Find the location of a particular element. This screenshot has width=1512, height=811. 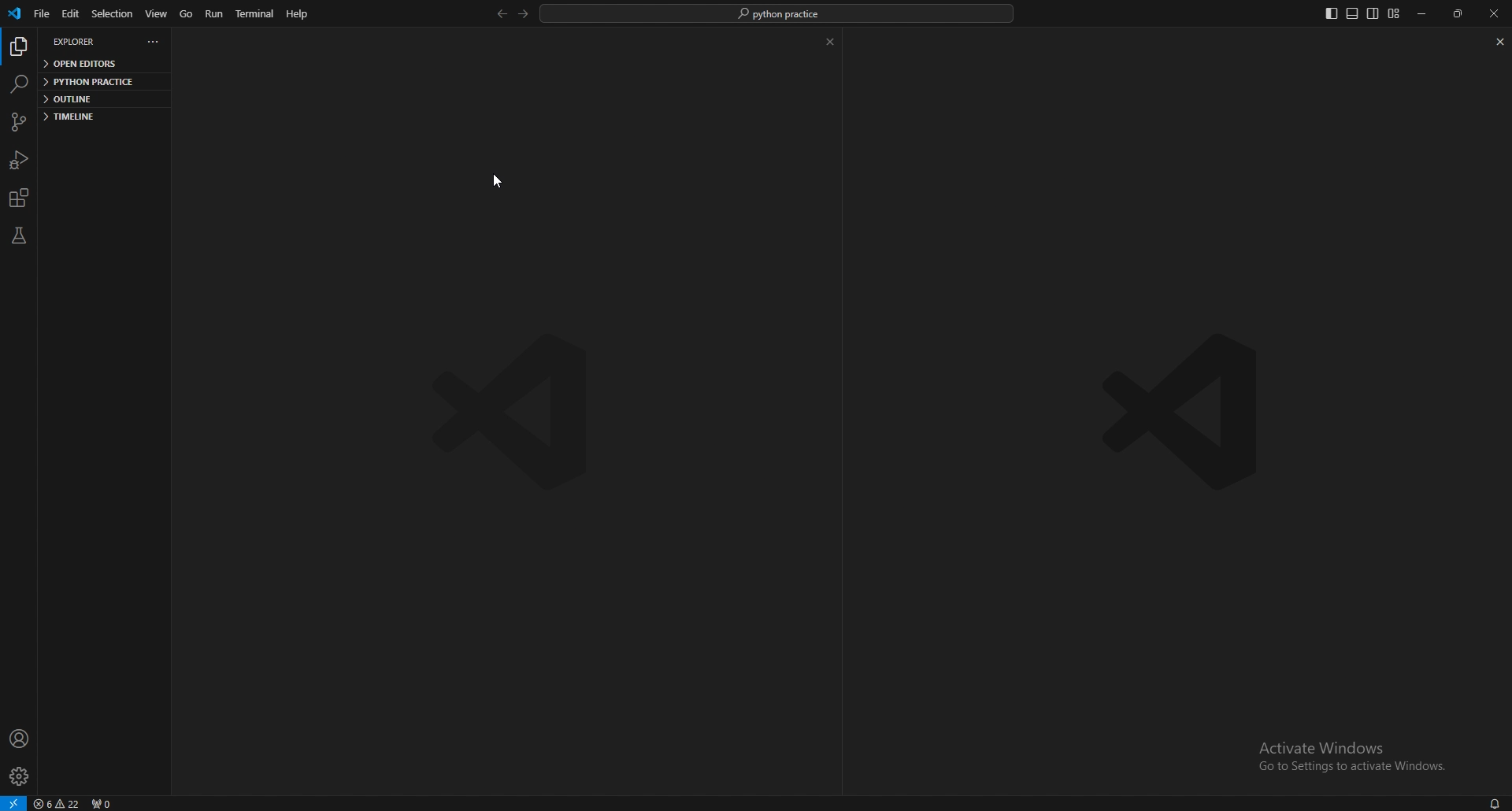

testing is located at coordinates (18, 236).